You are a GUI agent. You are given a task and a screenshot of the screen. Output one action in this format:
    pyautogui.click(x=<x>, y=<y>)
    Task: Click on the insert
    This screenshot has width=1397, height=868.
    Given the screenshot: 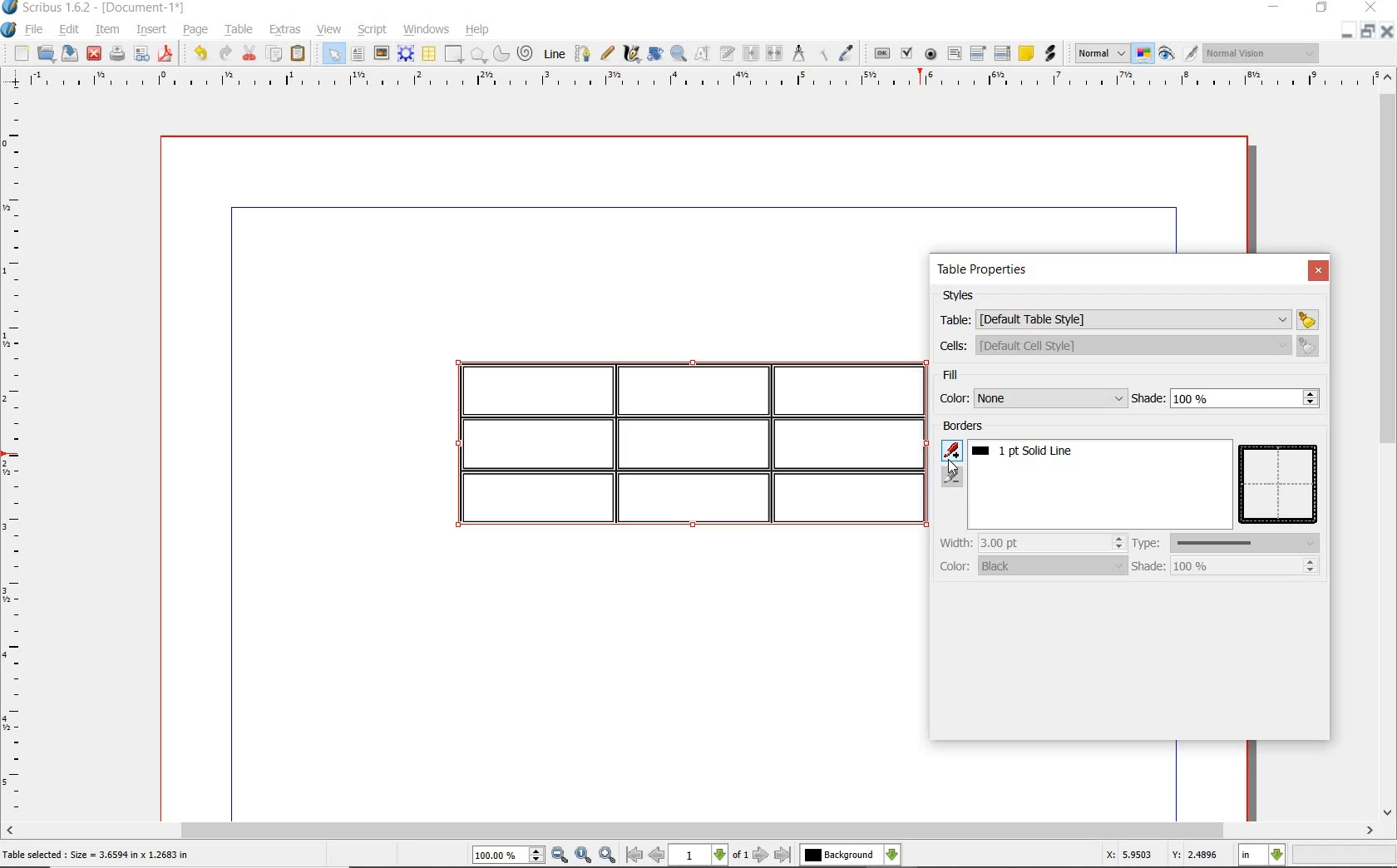 What is the action you would take?
    pyautogui.click(x=155, y=28)
    